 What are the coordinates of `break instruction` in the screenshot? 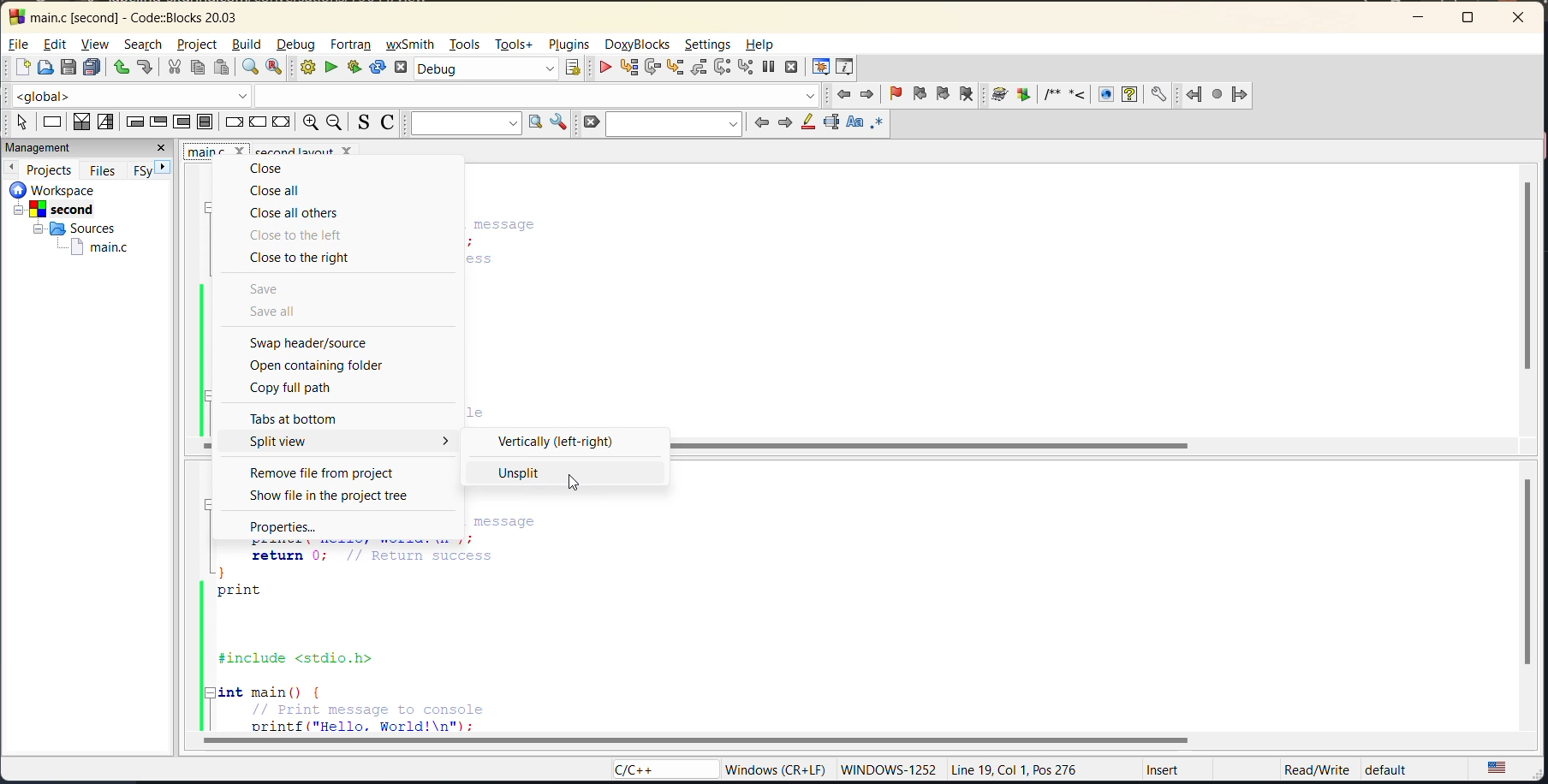 It's located at (233, 122).